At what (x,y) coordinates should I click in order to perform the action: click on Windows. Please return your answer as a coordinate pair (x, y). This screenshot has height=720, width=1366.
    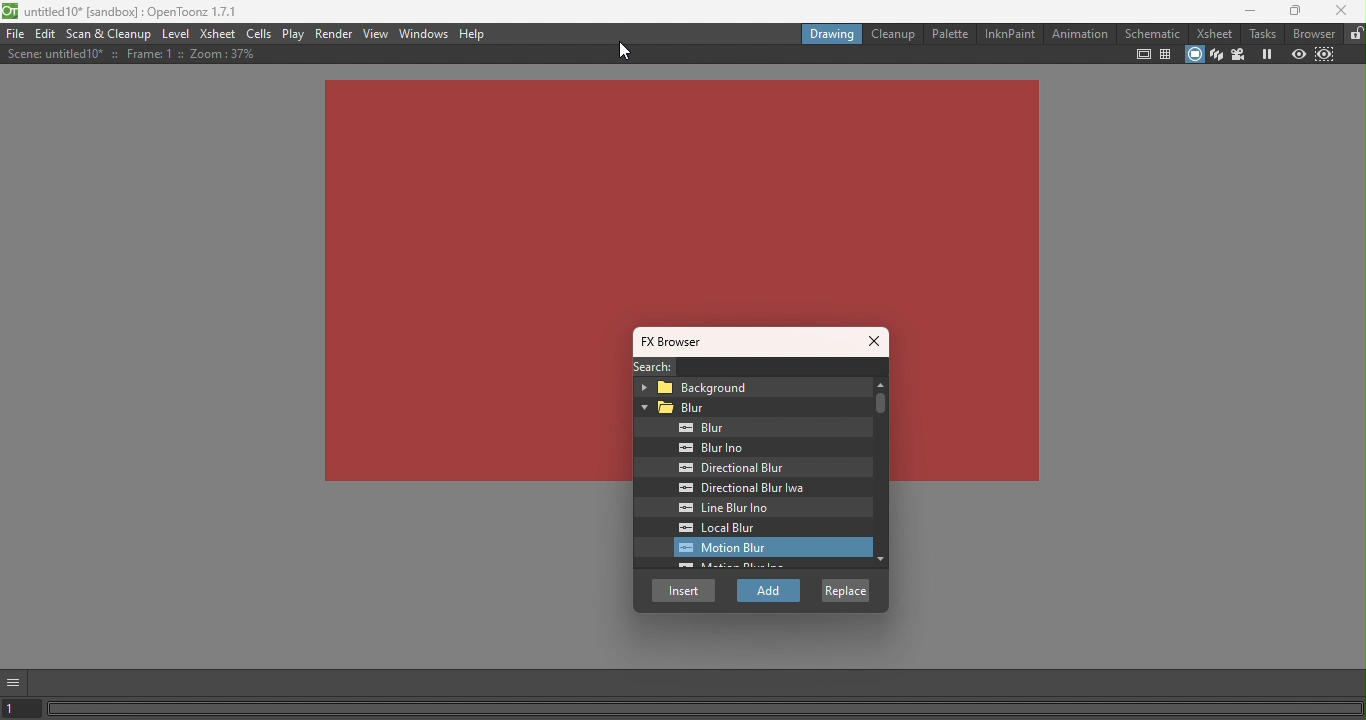
    Looking at the image, I should click on (426, 33).